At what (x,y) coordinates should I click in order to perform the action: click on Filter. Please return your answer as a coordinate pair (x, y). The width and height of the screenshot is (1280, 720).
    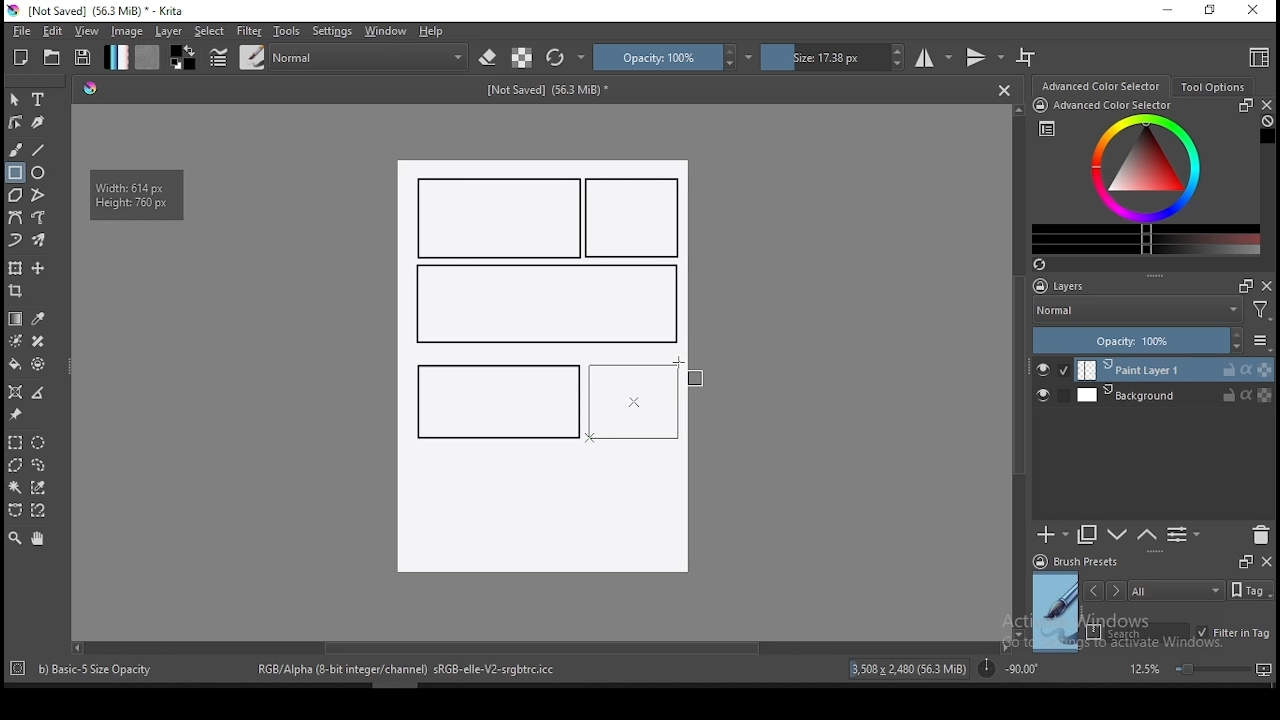
    Looking at the image, I should click on (1261, 313).